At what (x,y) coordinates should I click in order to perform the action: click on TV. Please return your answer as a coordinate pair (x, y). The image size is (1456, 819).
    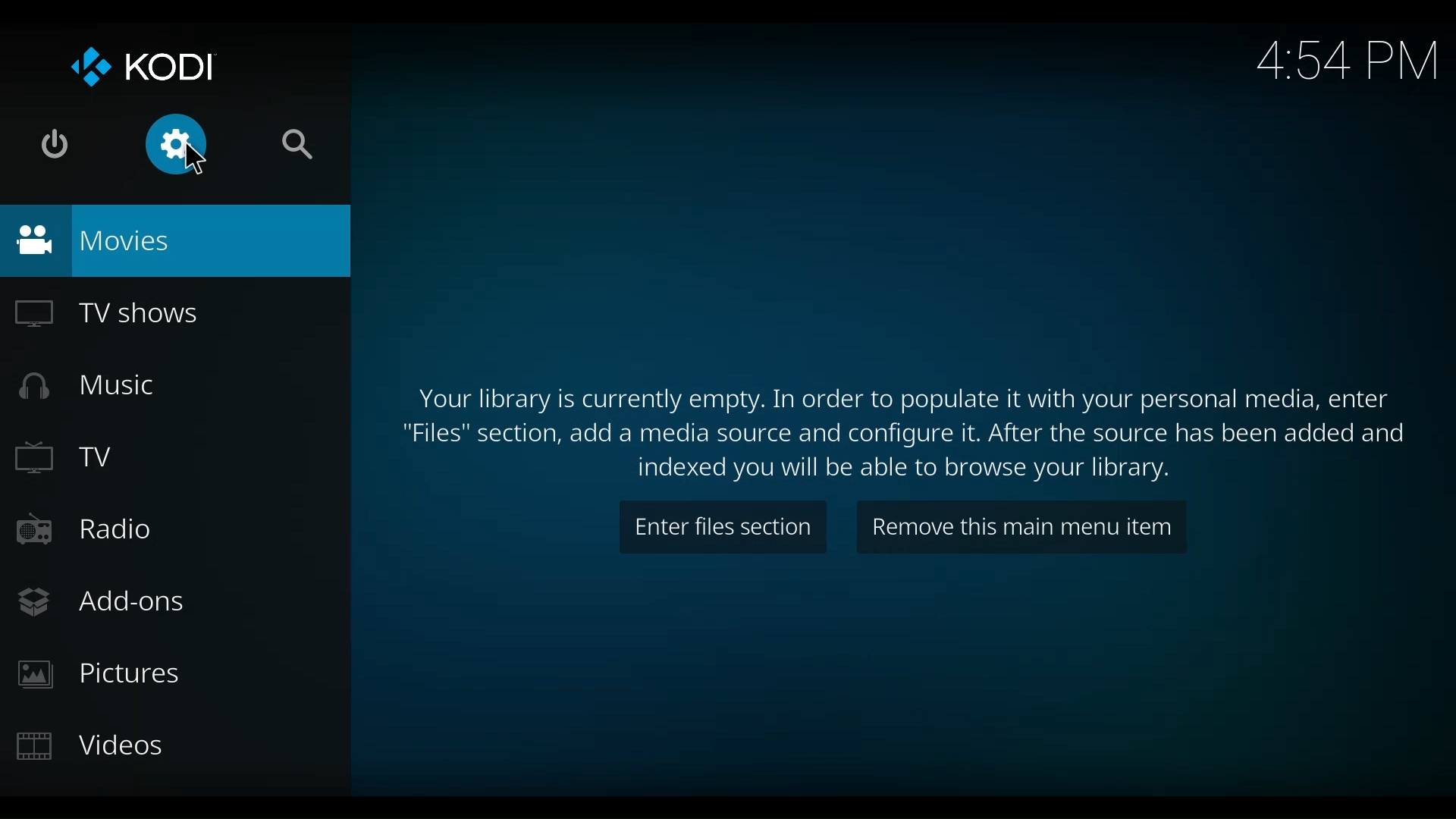
    Looking at the image, I should click on (61, 457).